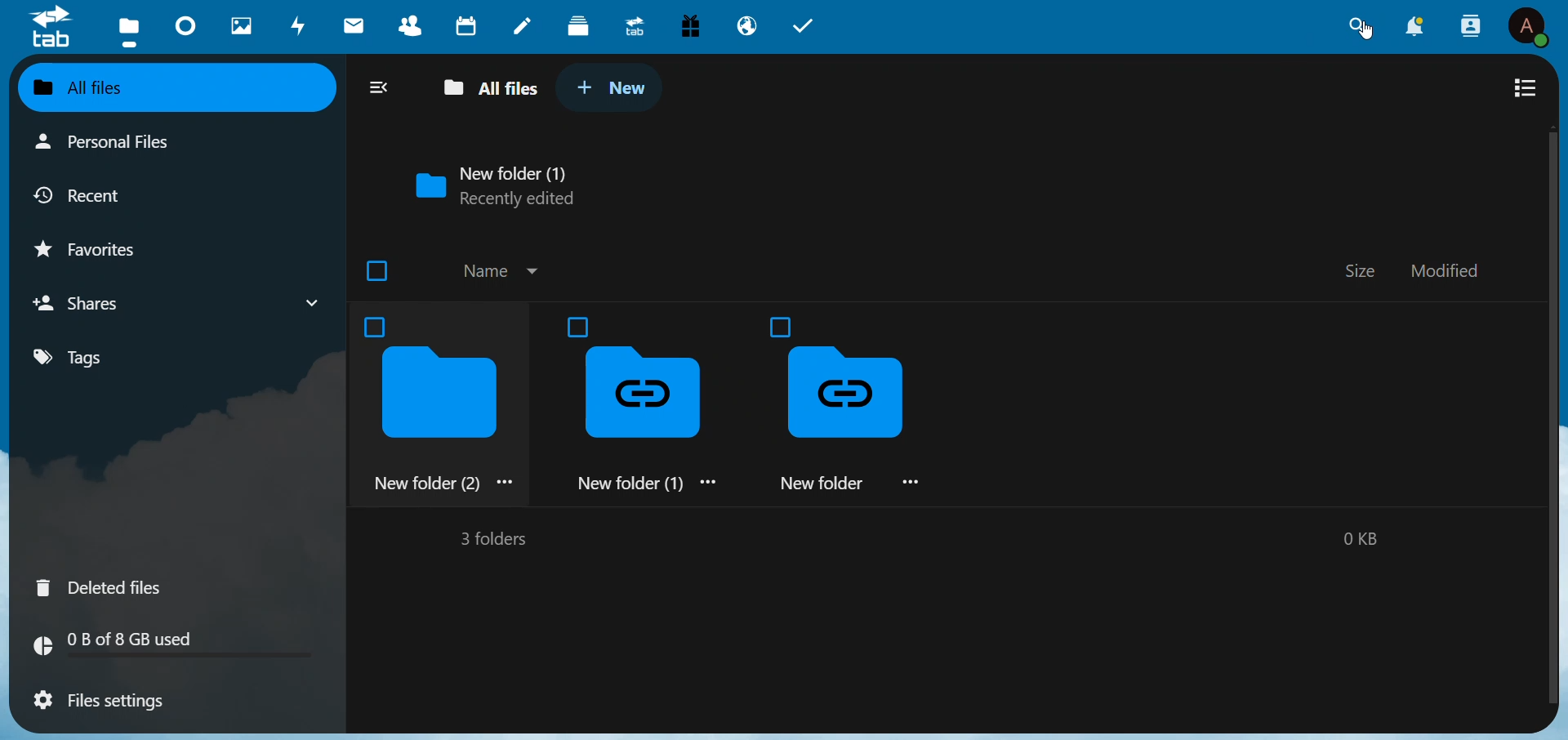  Describe the element at coordinates (1533, 29) in the screenshot. I see `user` at that location.